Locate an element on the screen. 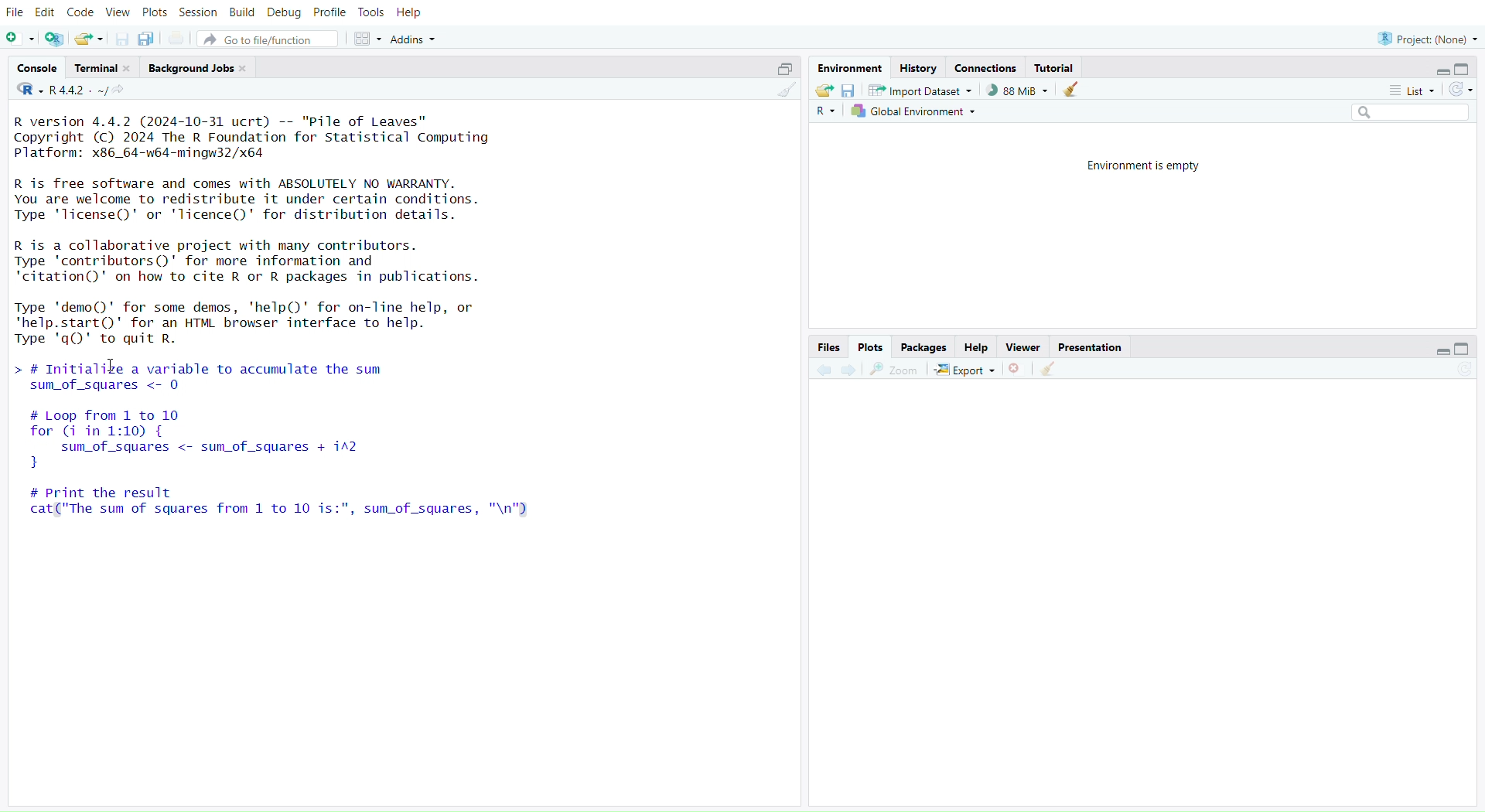 The height and width of the screenshot is (812, 1485). plots is located at coordinates (154, 12).